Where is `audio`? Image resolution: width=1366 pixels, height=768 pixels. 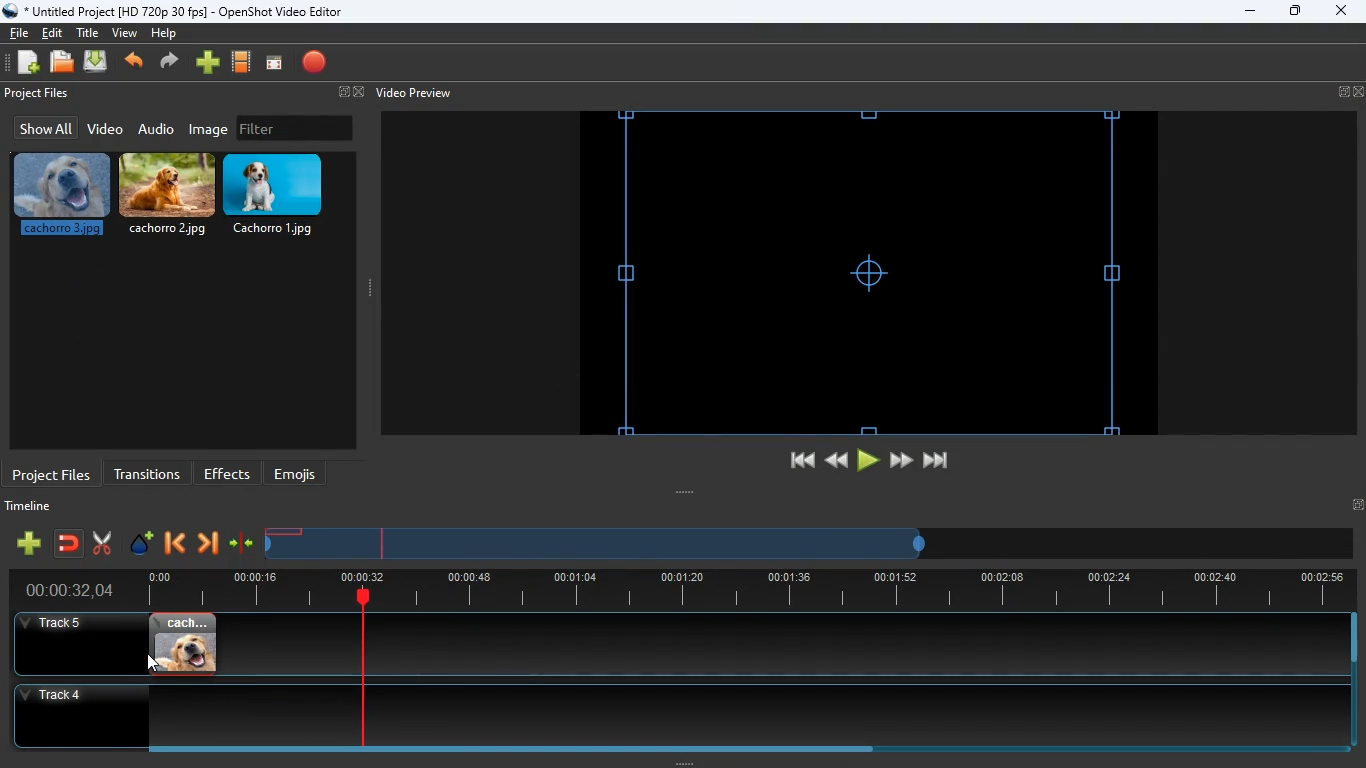
audio is located at coordinates (157, 128).